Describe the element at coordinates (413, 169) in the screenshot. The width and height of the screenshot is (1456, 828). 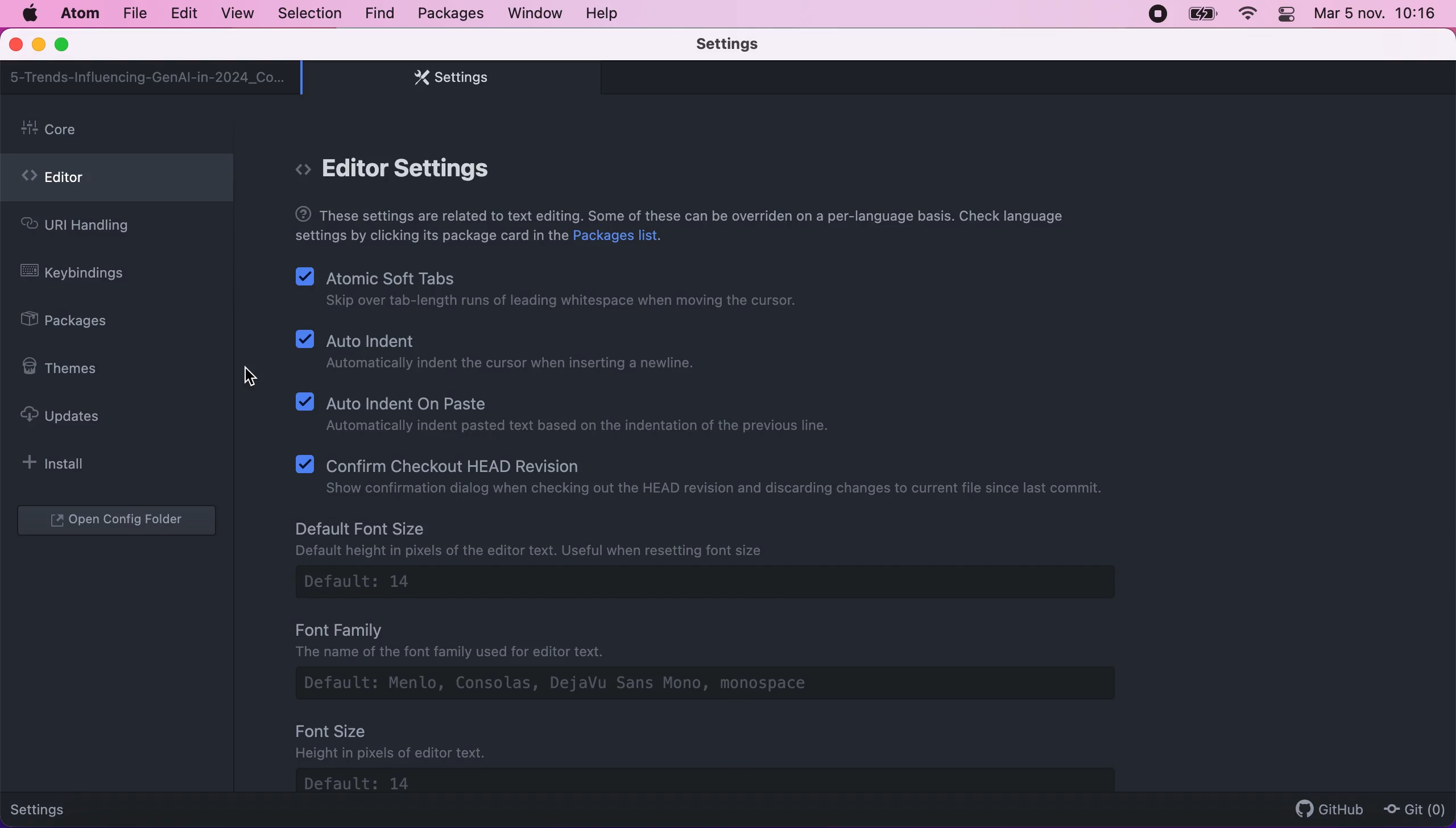
I see `editor settings` at that location.